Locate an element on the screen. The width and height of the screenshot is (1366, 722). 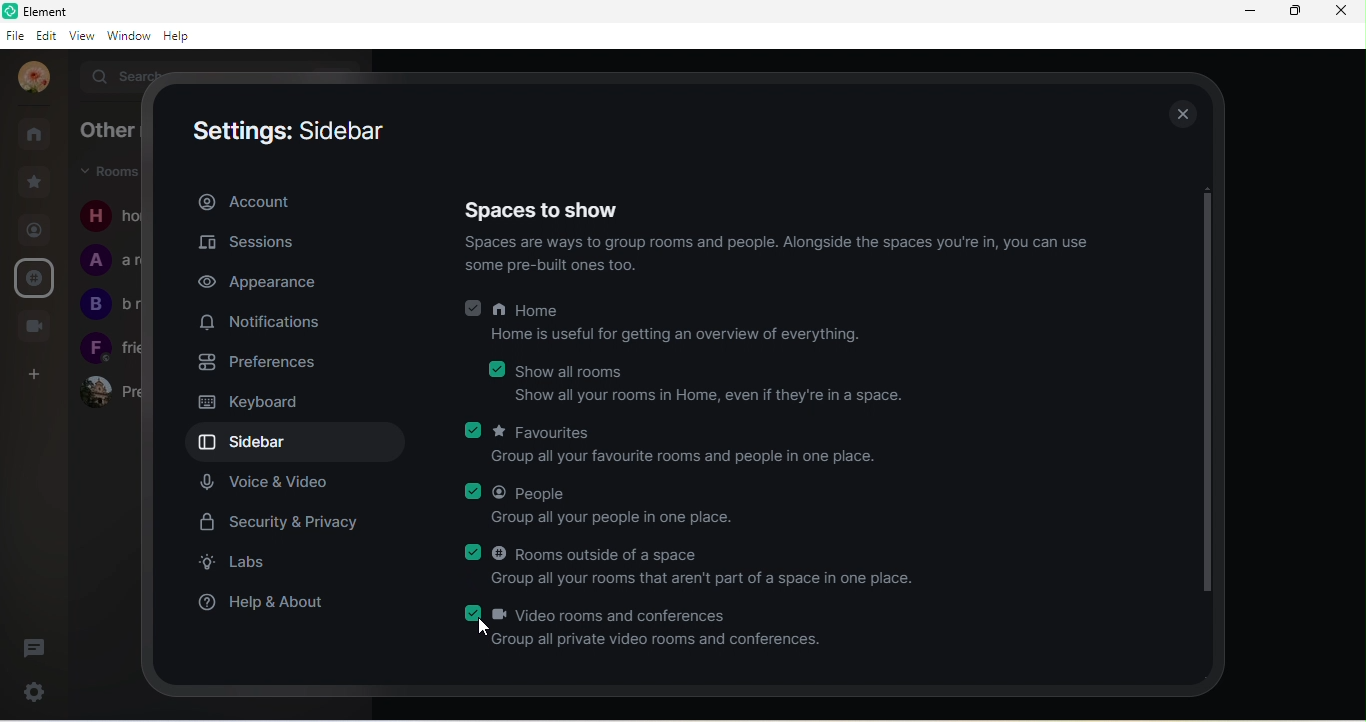
cursor movement is located at coordinates (489, 630).